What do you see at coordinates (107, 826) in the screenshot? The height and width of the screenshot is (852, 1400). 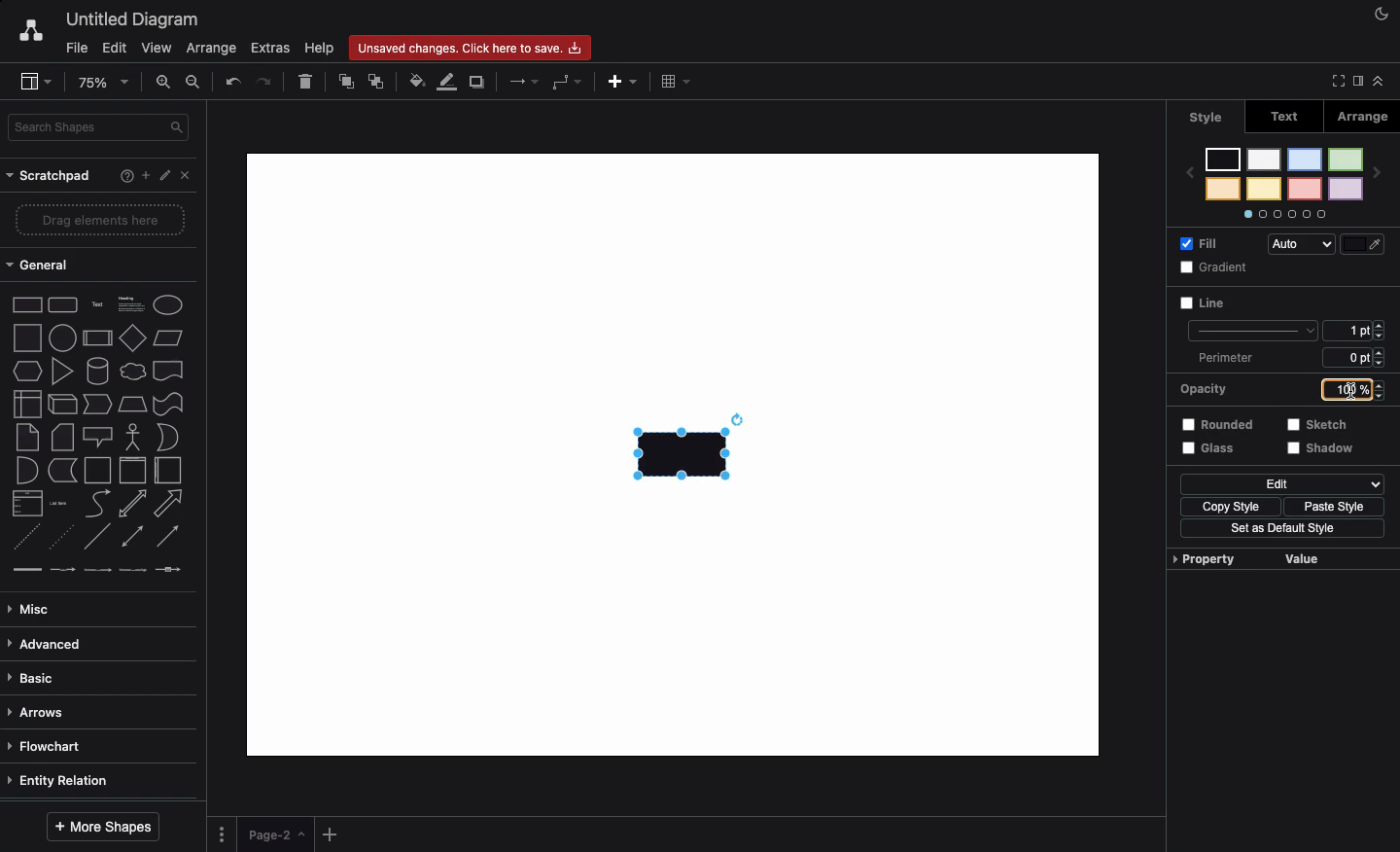 I see `More shapes` at bounding box center [107, 826].